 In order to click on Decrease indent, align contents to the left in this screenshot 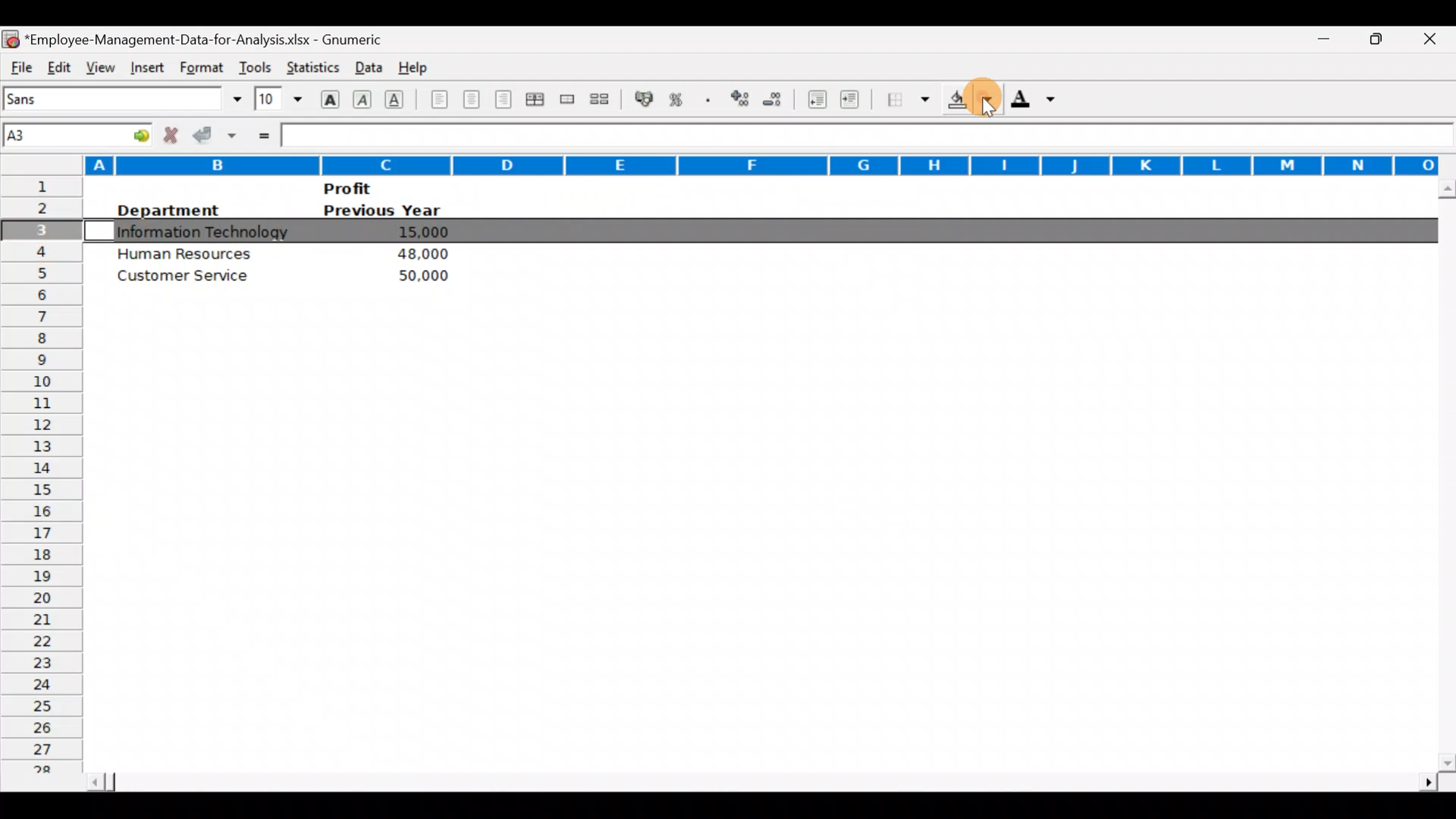, I will do `click(819, 101)`.